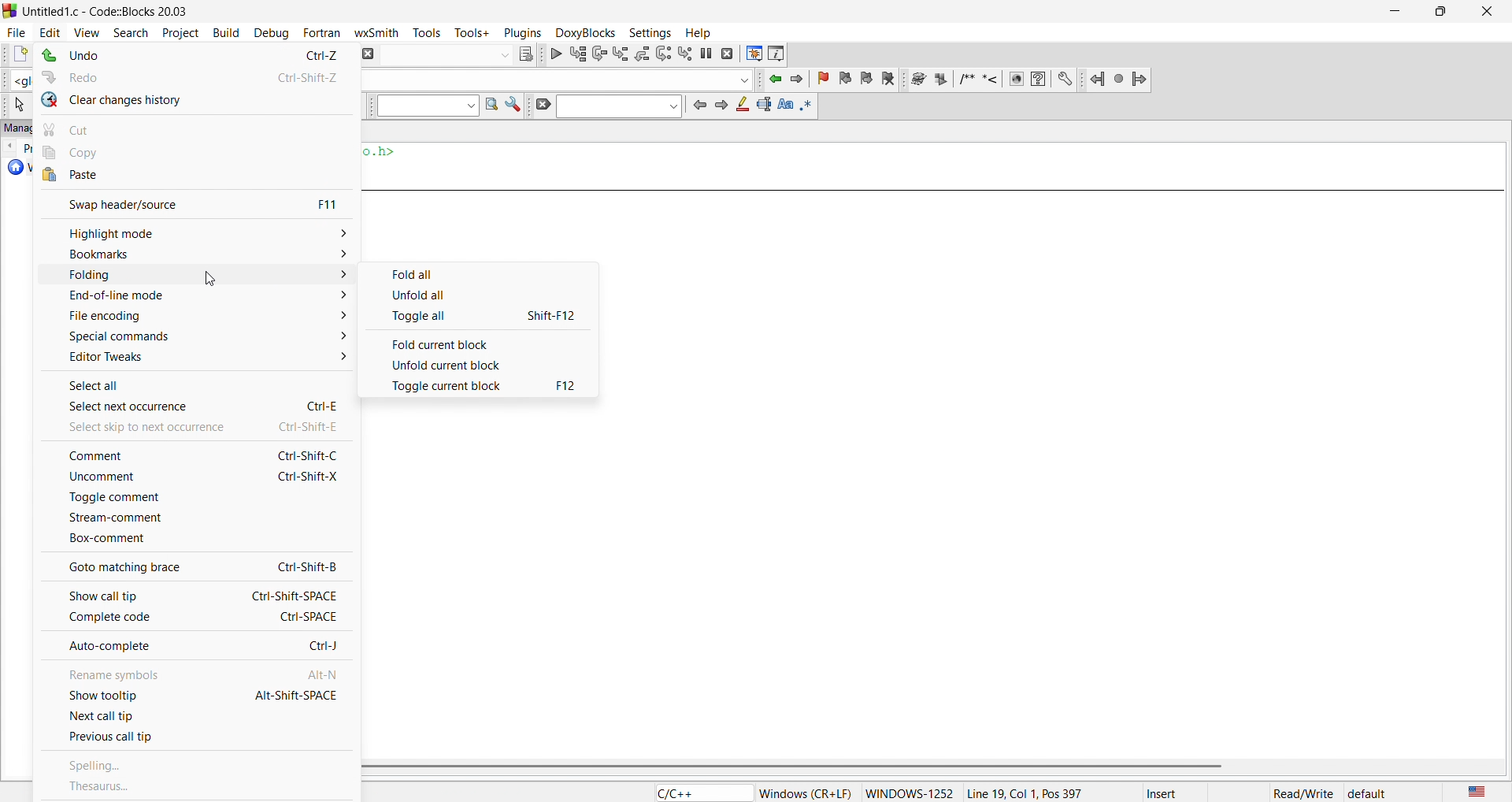  I want to click on language, so click(1473, 791).